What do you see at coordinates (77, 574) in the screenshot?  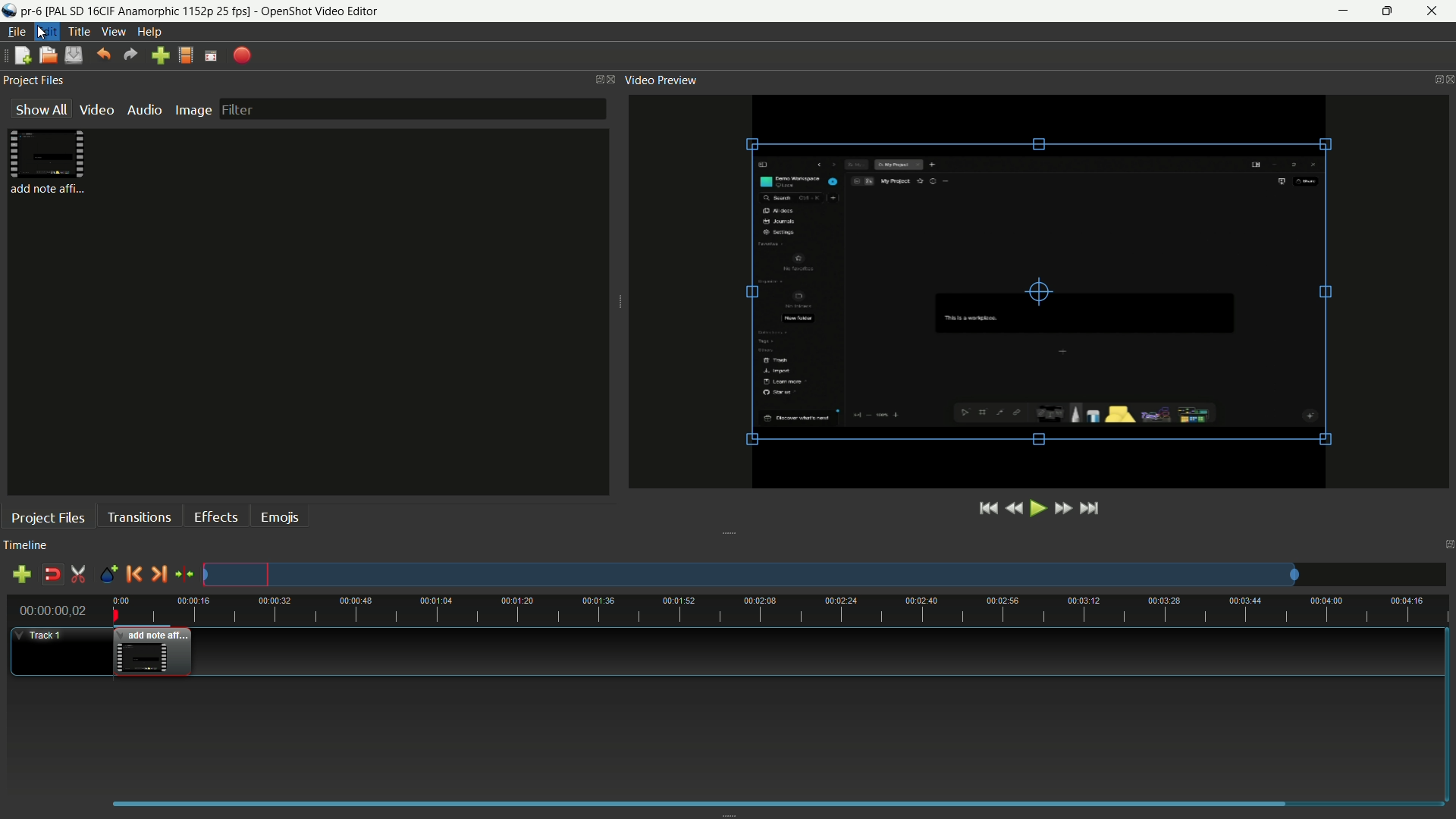 I see `enable razor` at bounding box center [77, 574].